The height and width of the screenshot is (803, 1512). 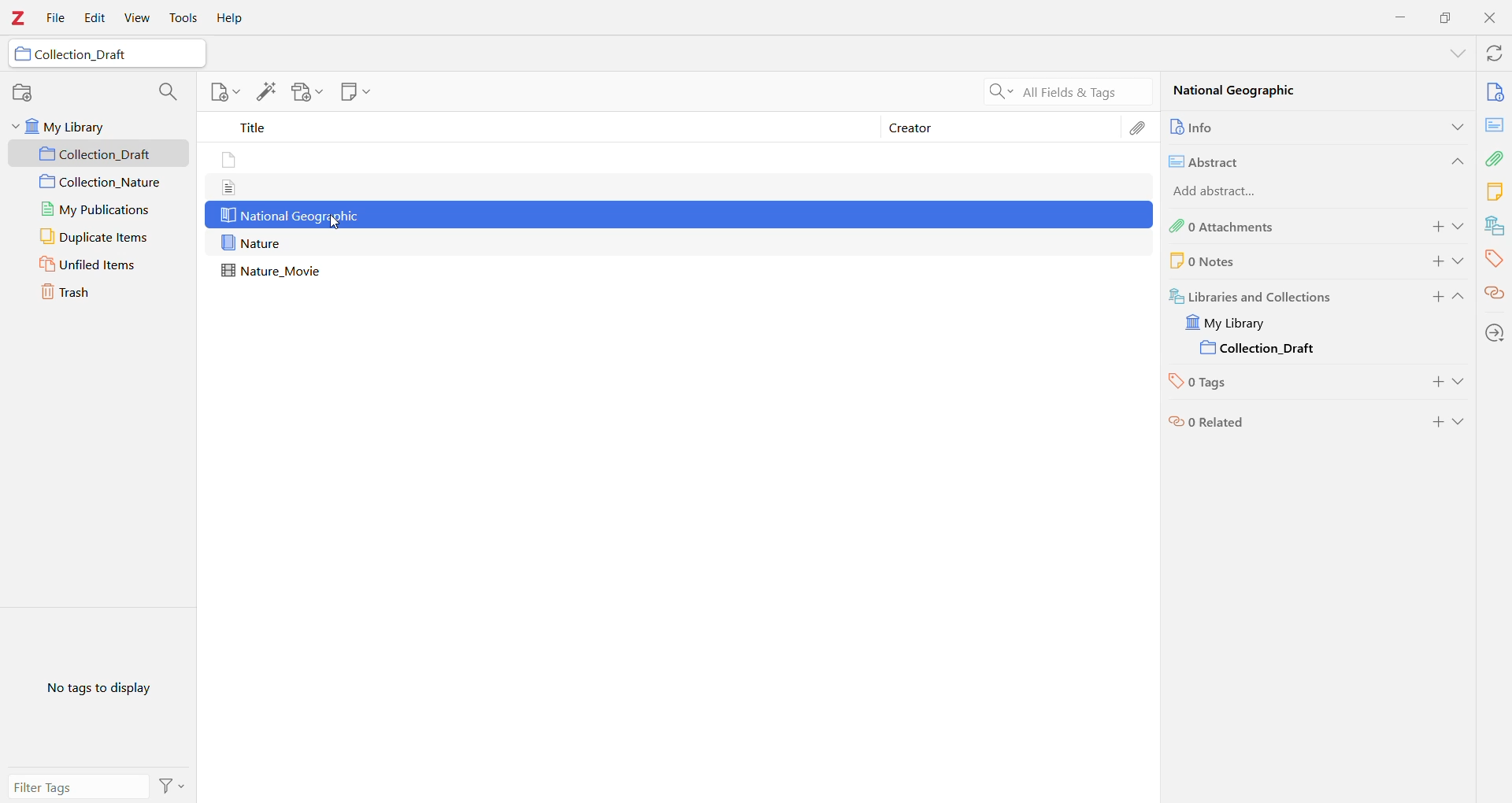 I want to click on Application Logo, so click(x=19, y=18).